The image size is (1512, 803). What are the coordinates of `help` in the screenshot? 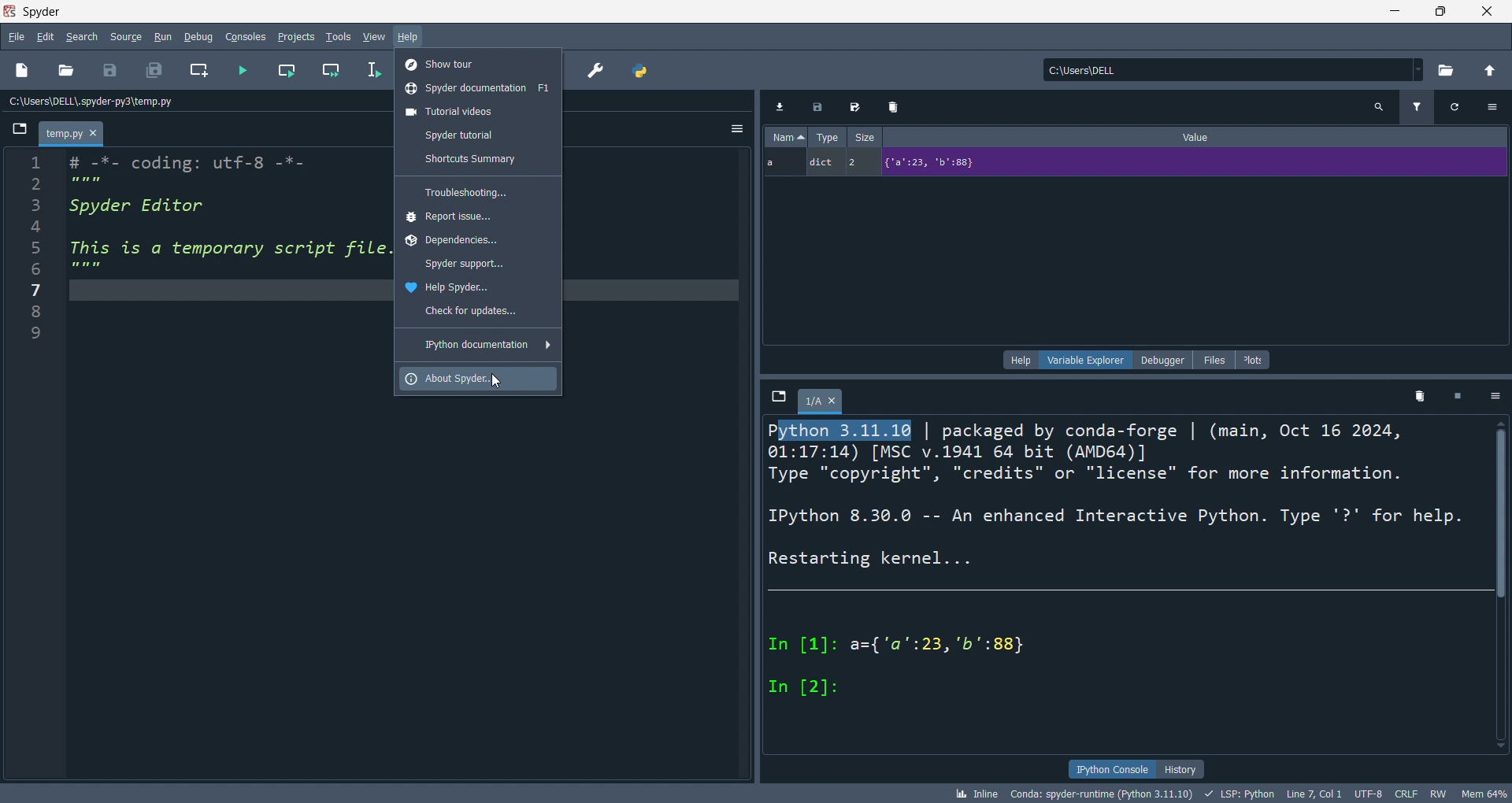 It's located at (410, 39).